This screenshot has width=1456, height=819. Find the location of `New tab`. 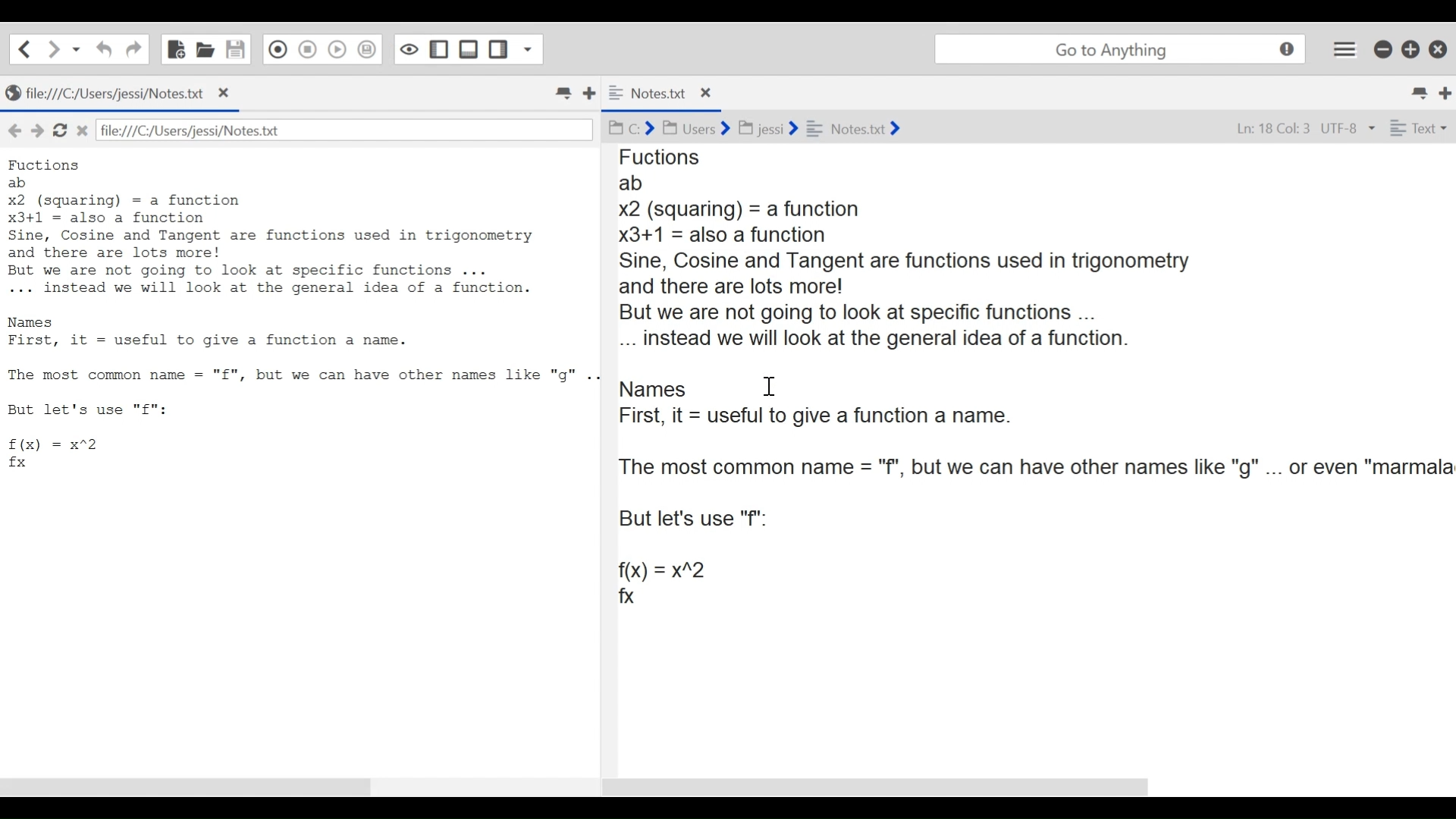

New tab is located at coordinates (593, 96).